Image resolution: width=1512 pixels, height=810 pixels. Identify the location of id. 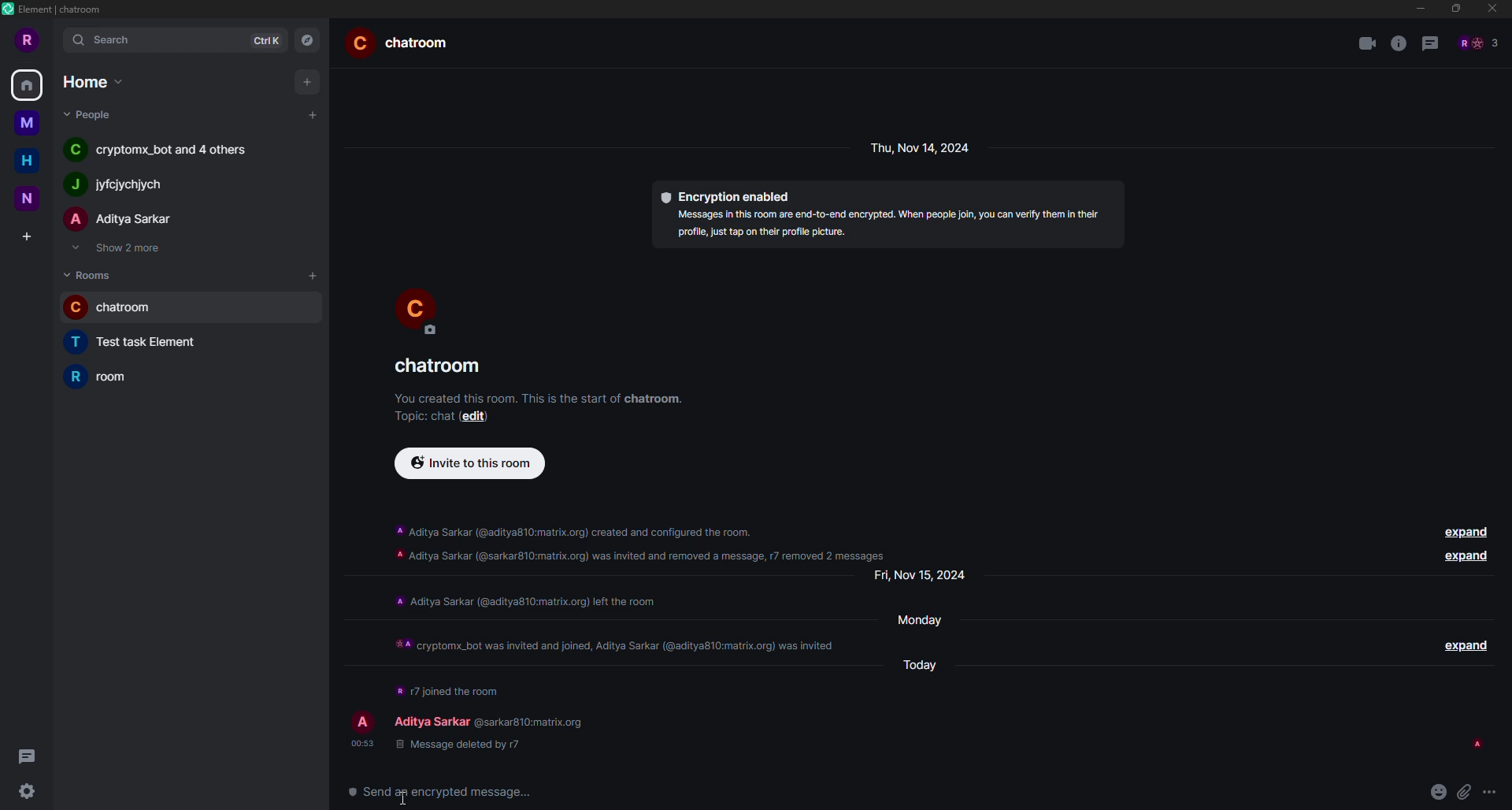
(532, 721).